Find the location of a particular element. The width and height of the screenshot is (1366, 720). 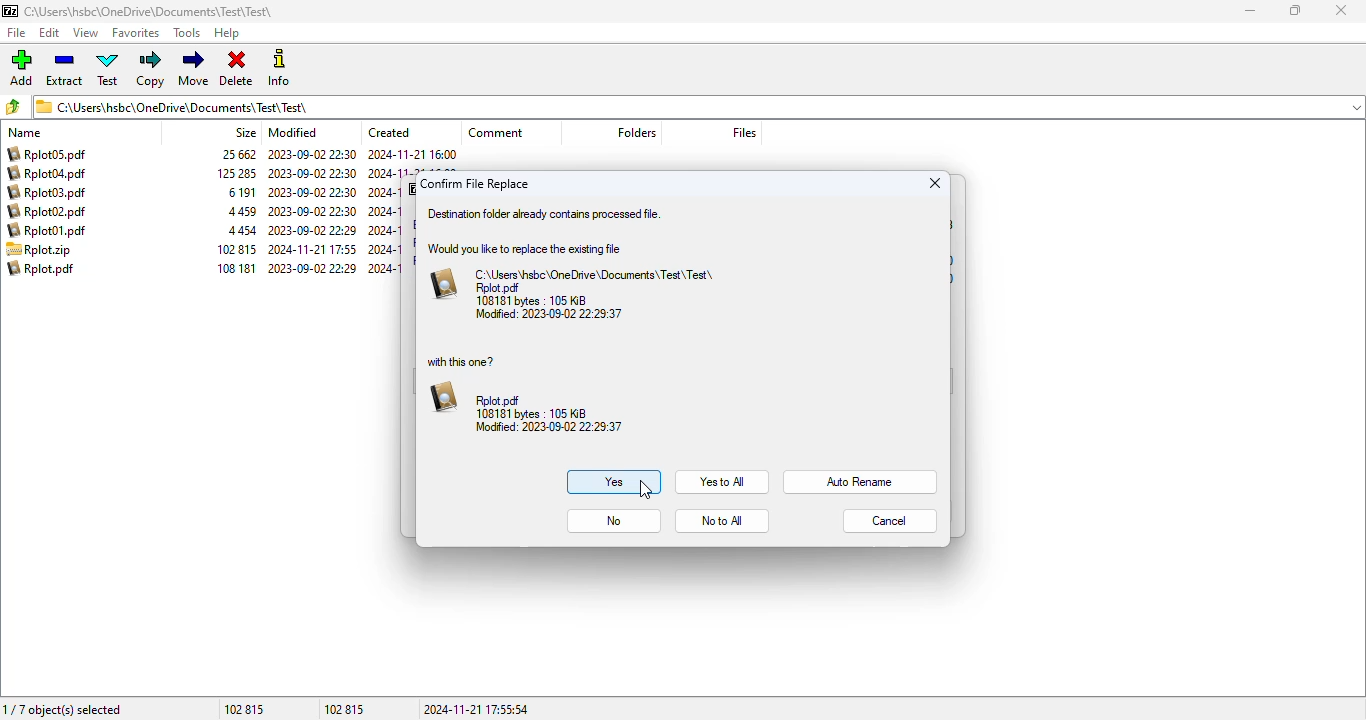

info is located at coordinates (277, 67).